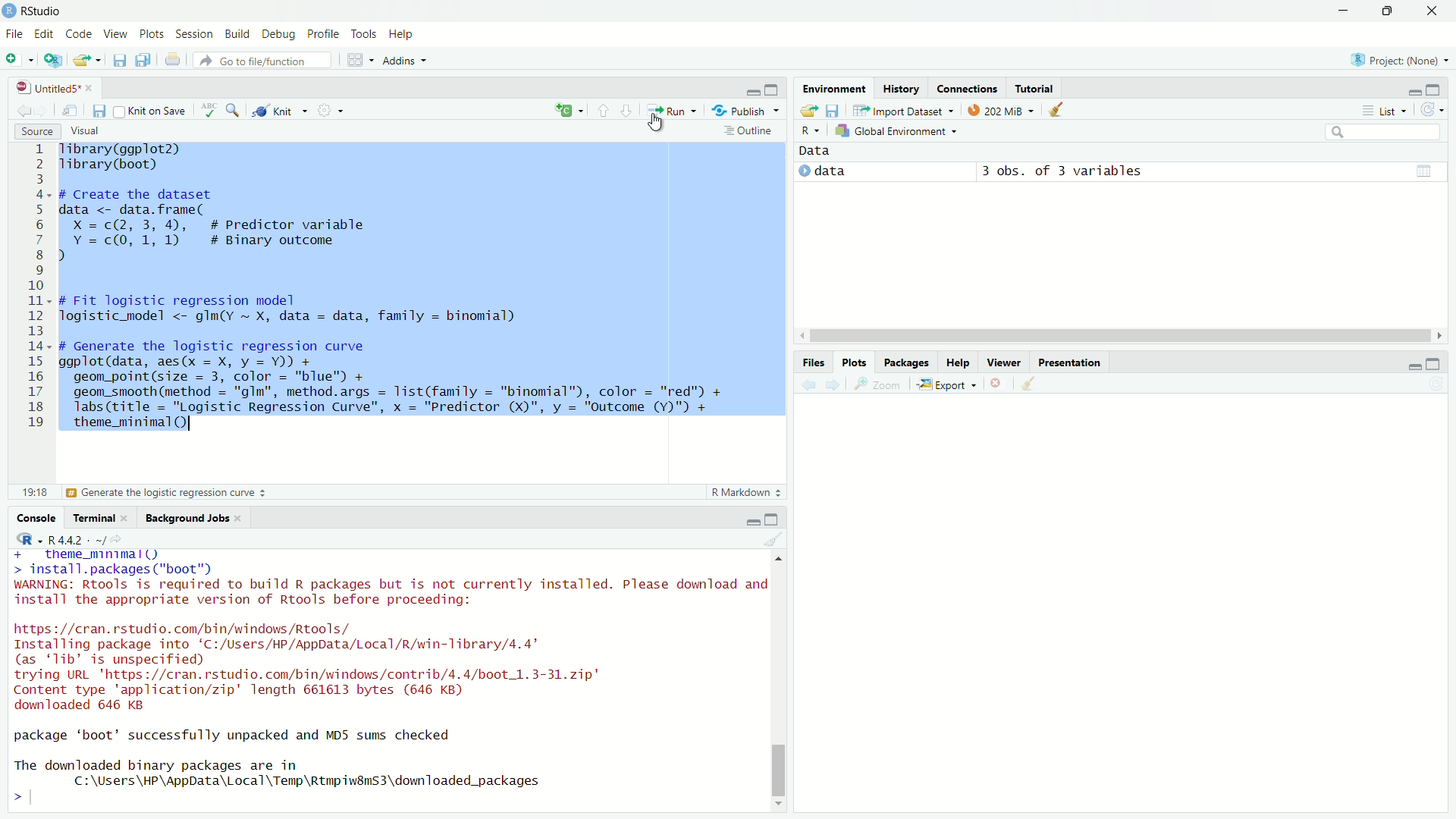 Image resolution: width=1456 pixels, height=819 pixels. What do you see at coordinates (751, 130) in the screenshot?
I see `Outline` at bounding box center [751, 130].